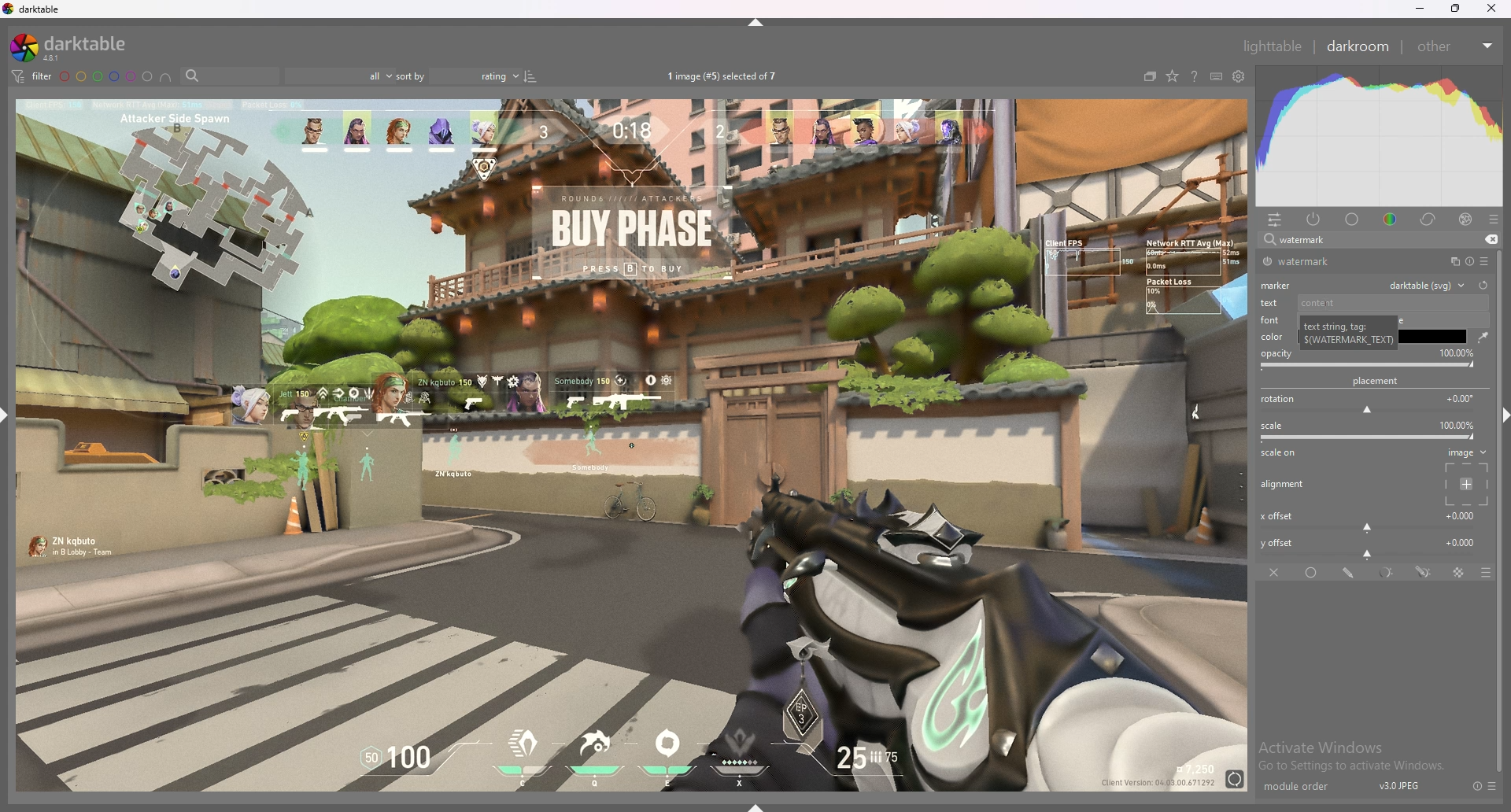 This screenshot has width=1511, height=812. What do you see at coordinates (1495, 11) in the screenshot?
I see `Close` at bounding box center [1495, 11].